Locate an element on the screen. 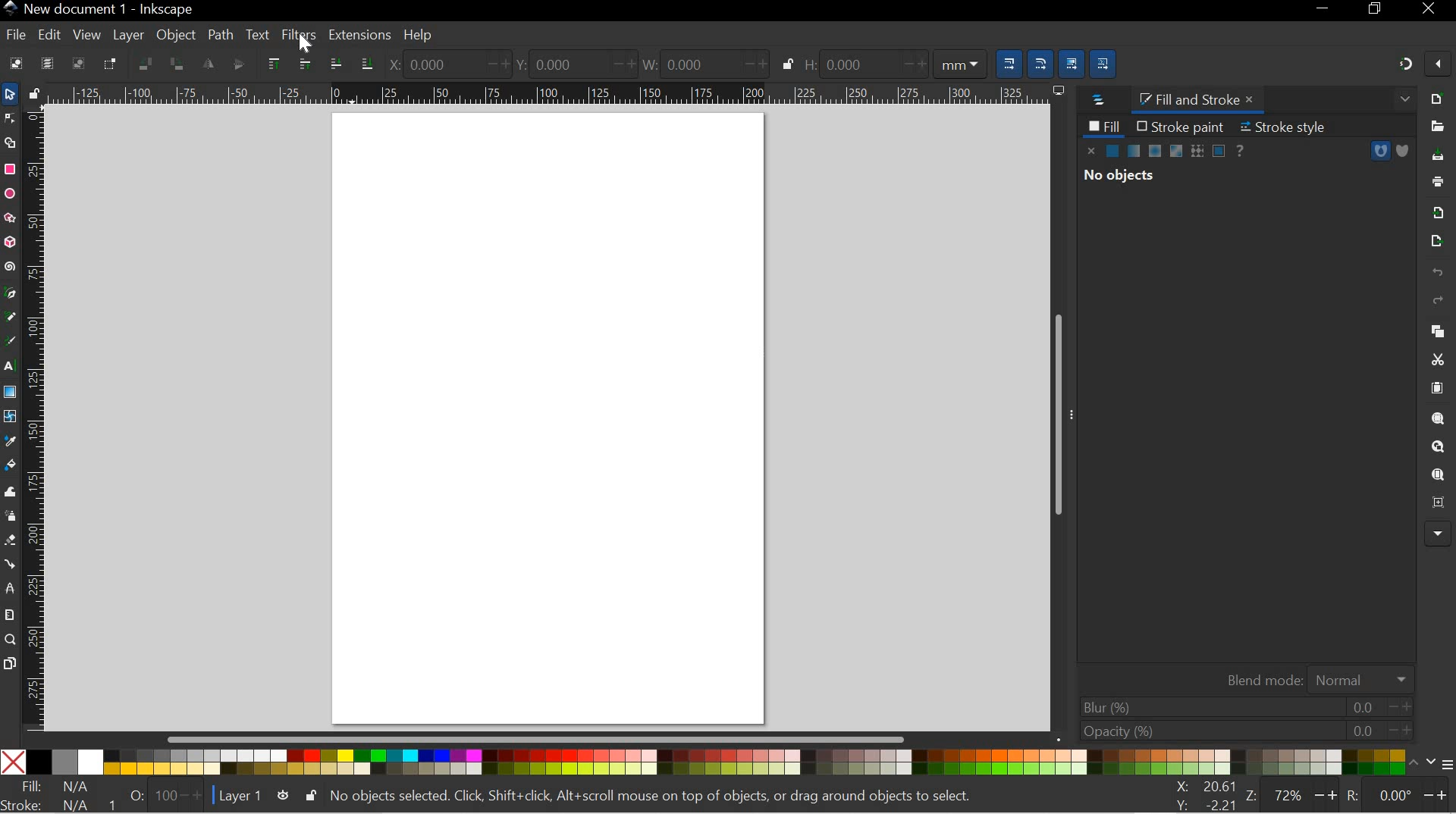 The height and width of the screenshot is (814, 1456). FILL AND STROKE is located at coordinates (1200, 99).